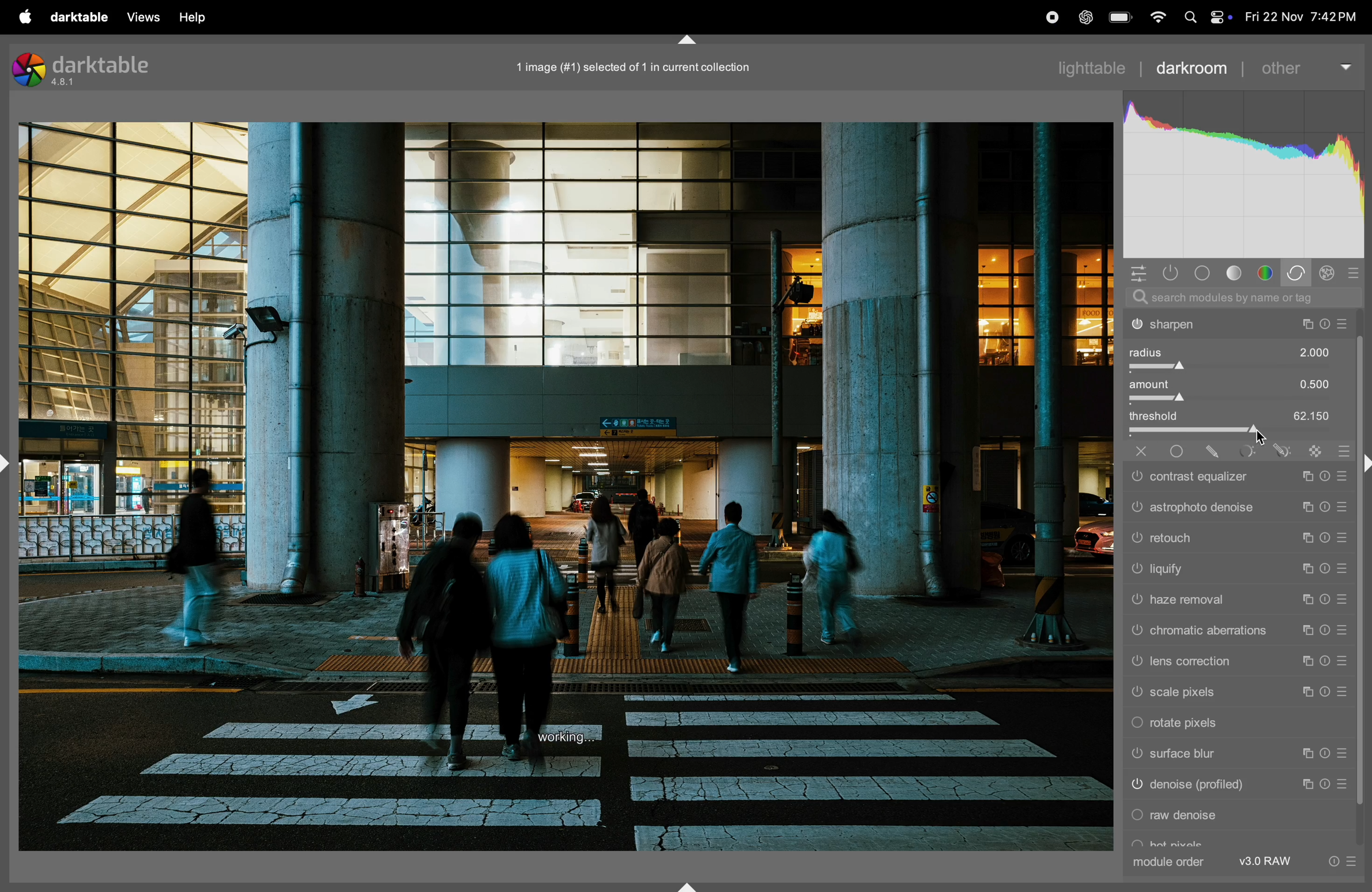  What do you see at coordinates (1239, 357) in the screenshot?
I see `radius` at bounding box center [1239, 357].